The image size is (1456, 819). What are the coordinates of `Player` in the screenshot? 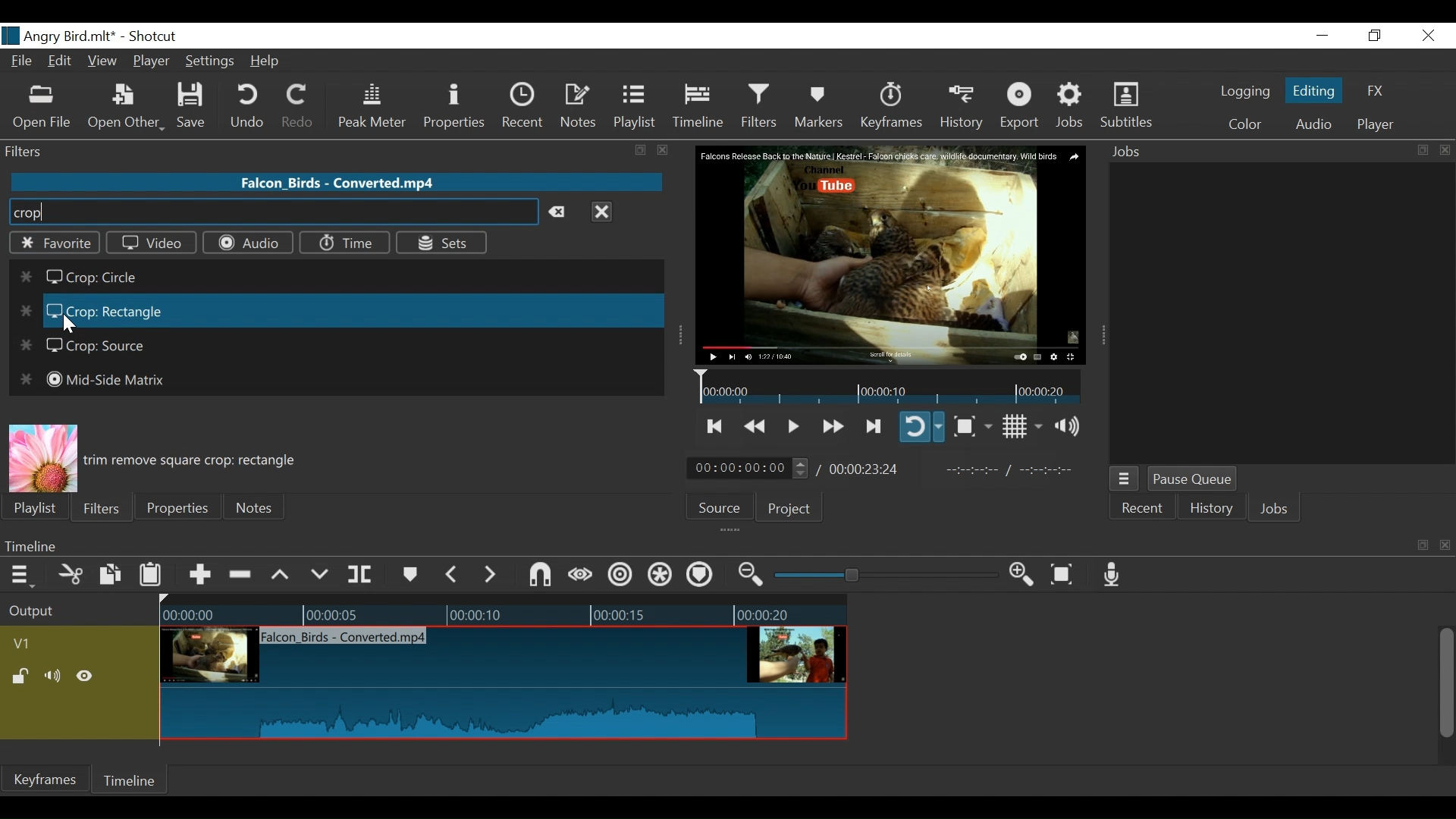 It's located at (152, 63).